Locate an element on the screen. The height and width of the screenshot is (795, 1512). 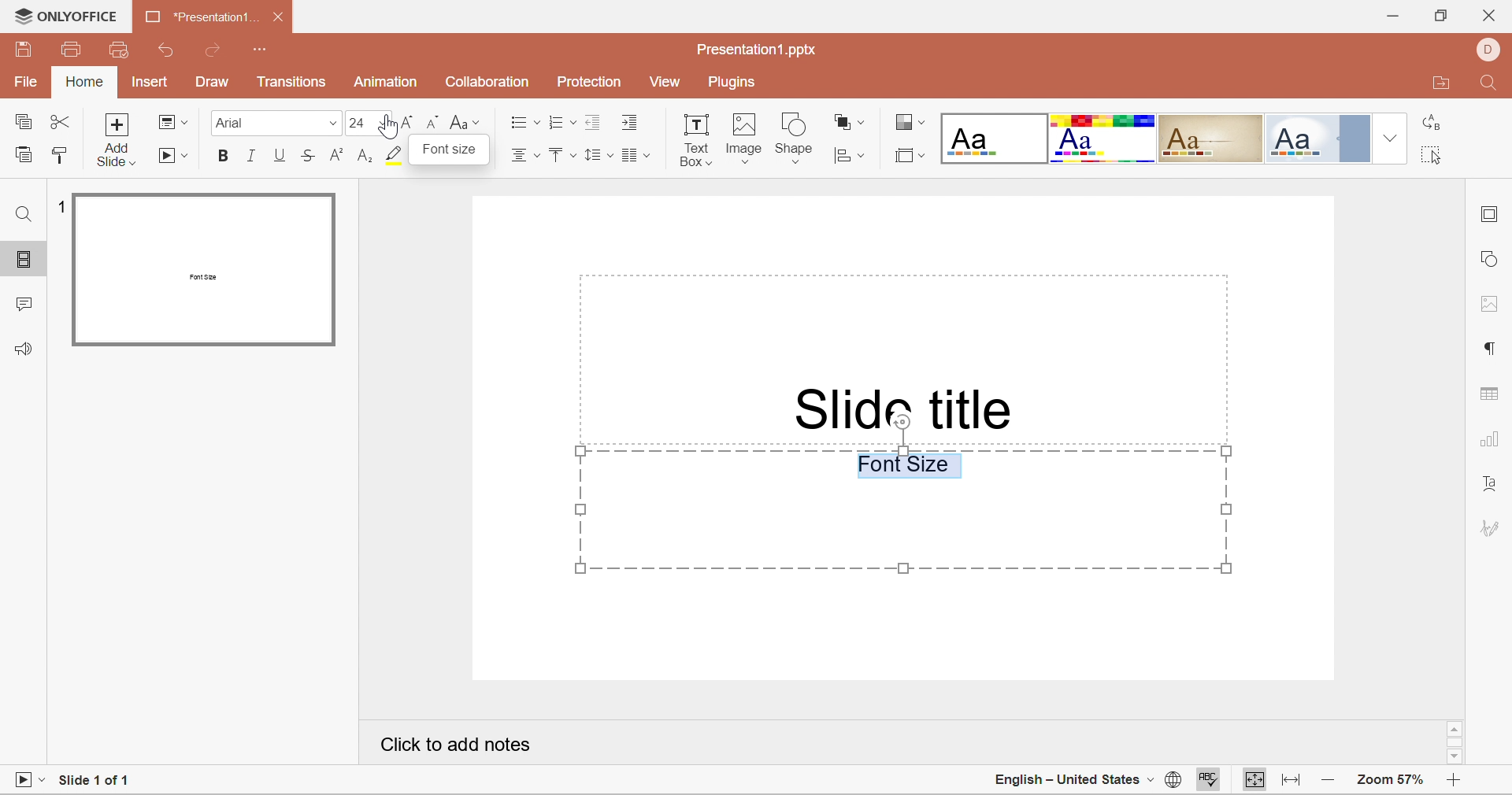
Selected text box is located at coordinates (903, 511).